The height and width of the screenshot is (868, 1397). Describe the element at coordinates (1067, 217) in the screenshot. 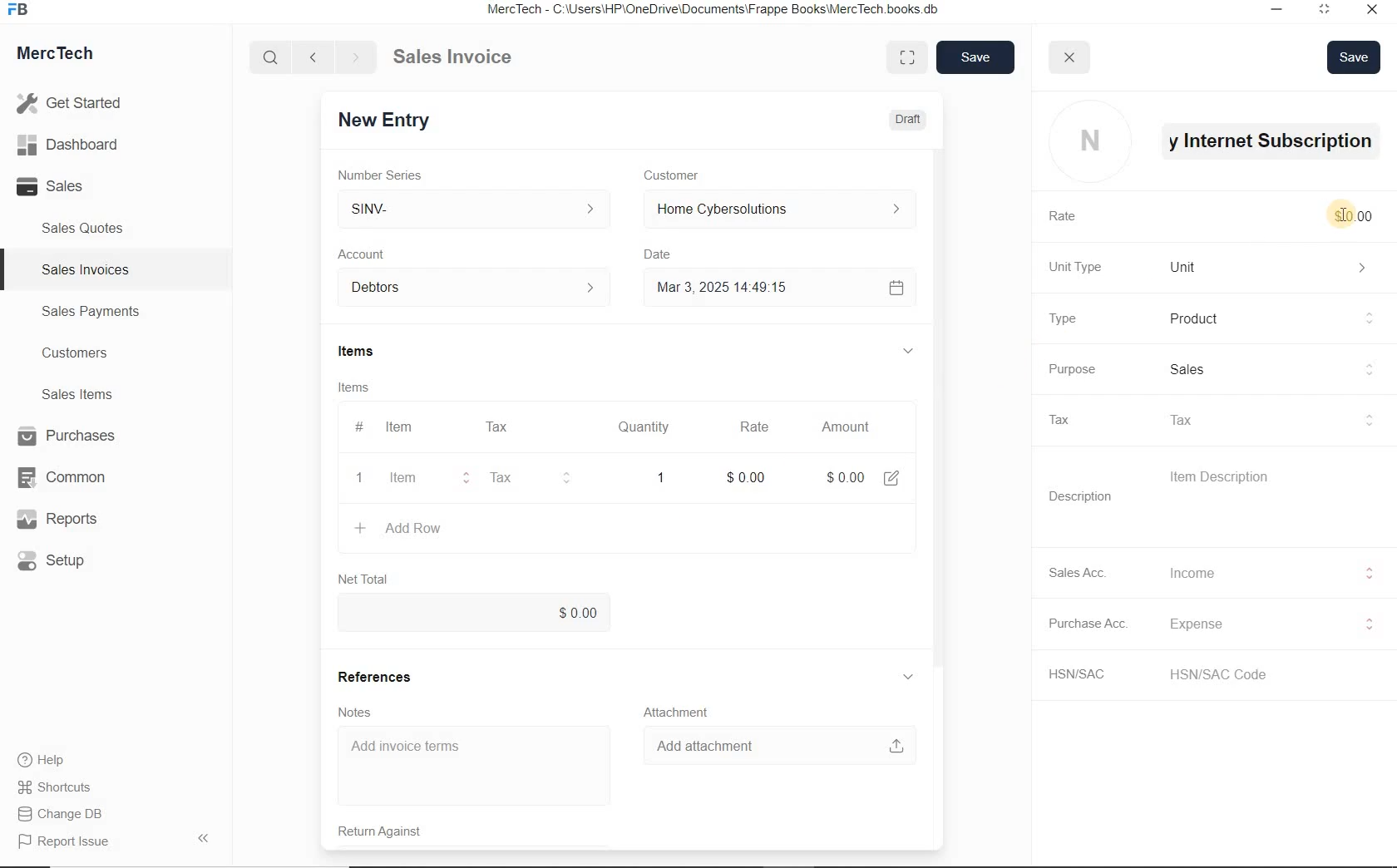

I see `Rate` at that location.